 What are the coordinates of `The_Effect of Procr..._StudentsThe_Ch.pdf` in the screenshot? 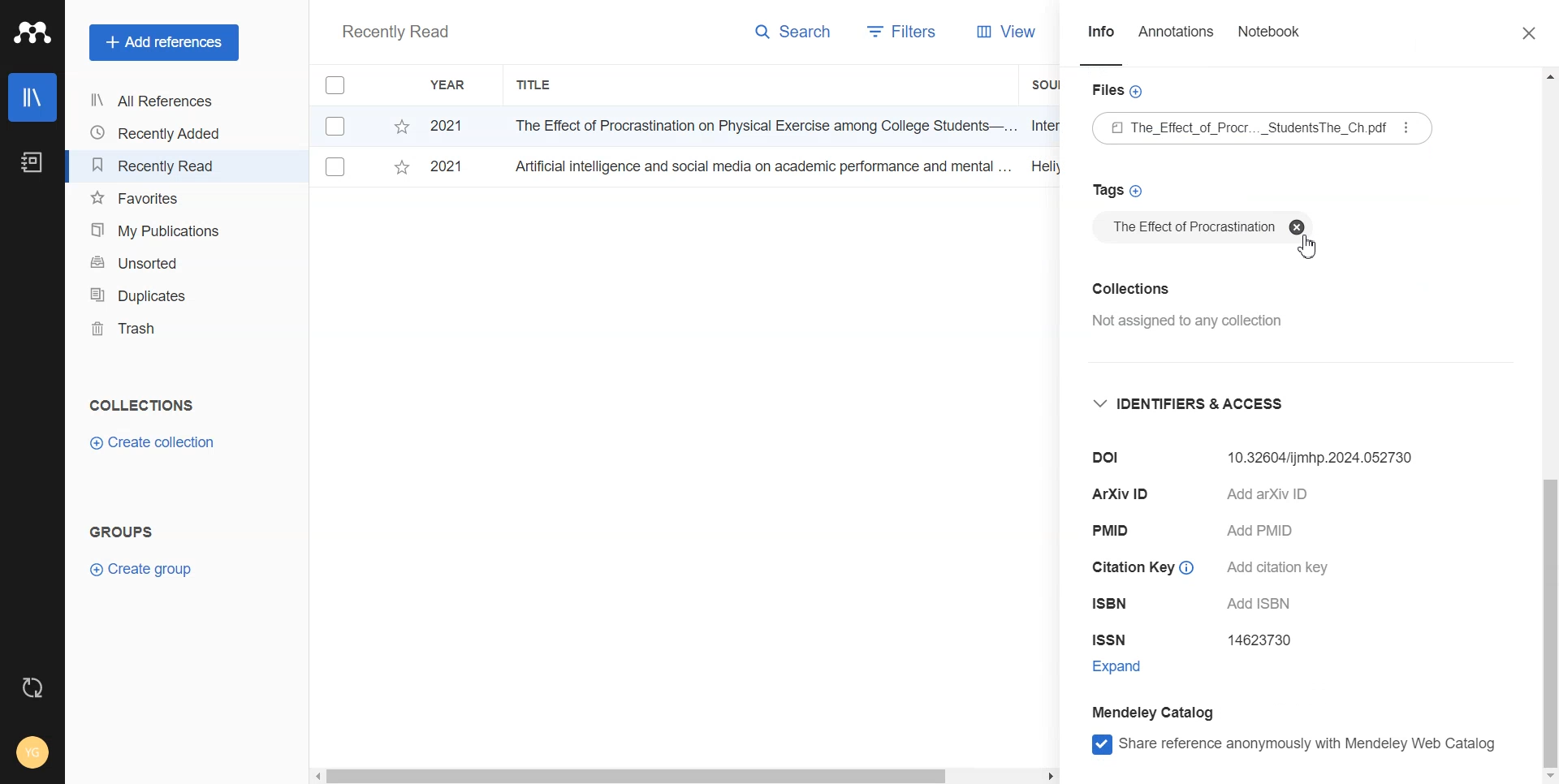 It's located at (1263, 129).